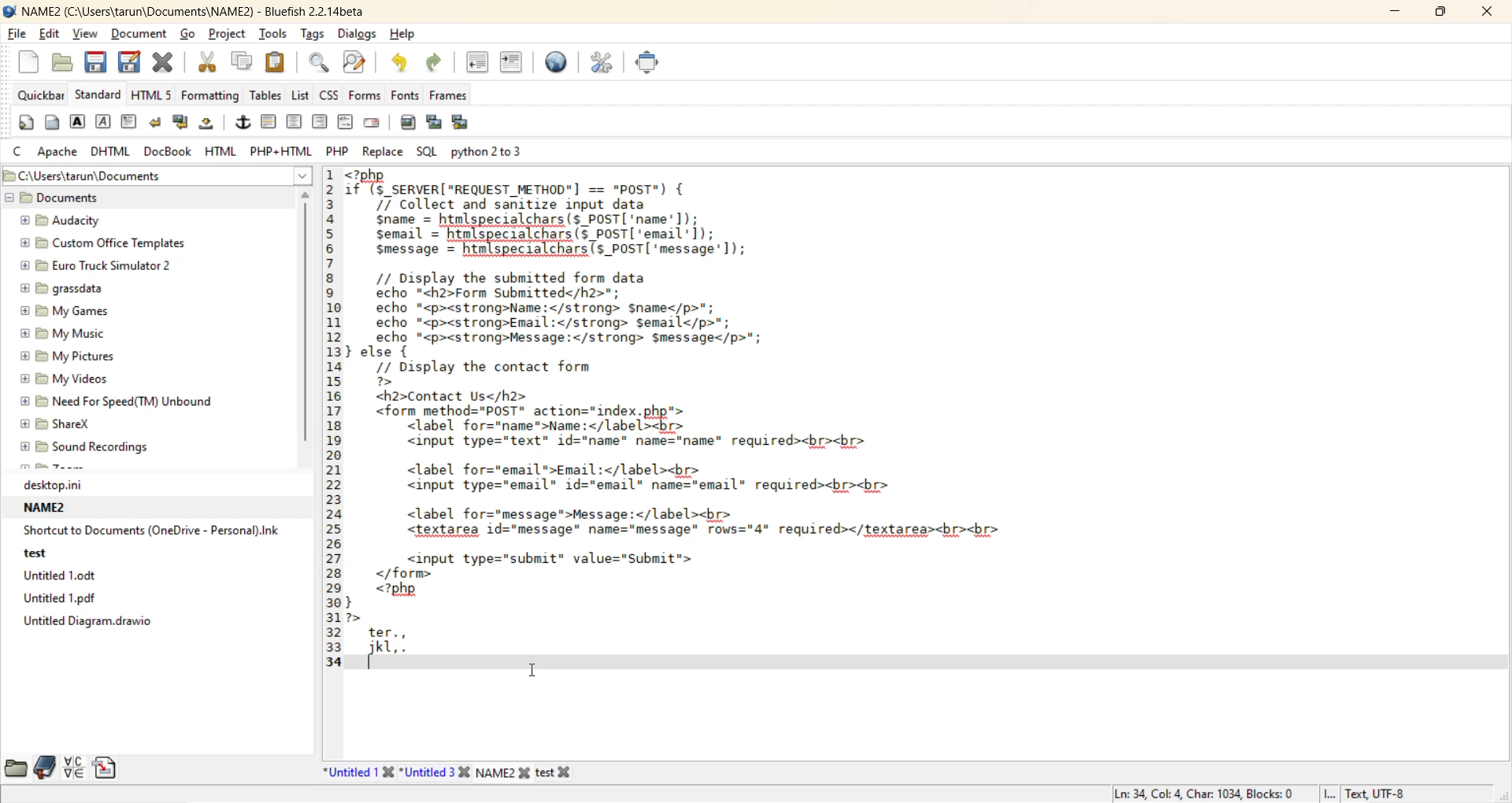 The width and height of the screenshot is (1512, 803). I want to click on find, so click(320, 64).